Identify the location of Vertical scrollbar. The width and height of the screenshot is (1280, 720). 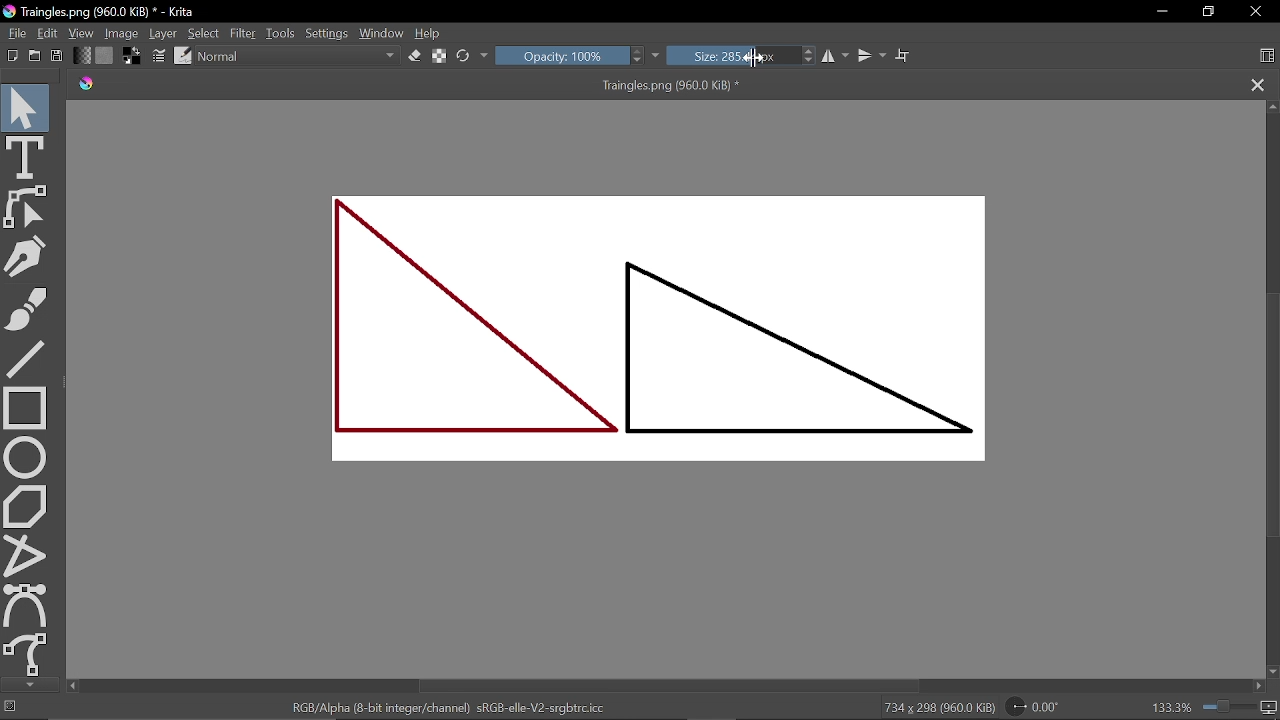
(1272, 412).